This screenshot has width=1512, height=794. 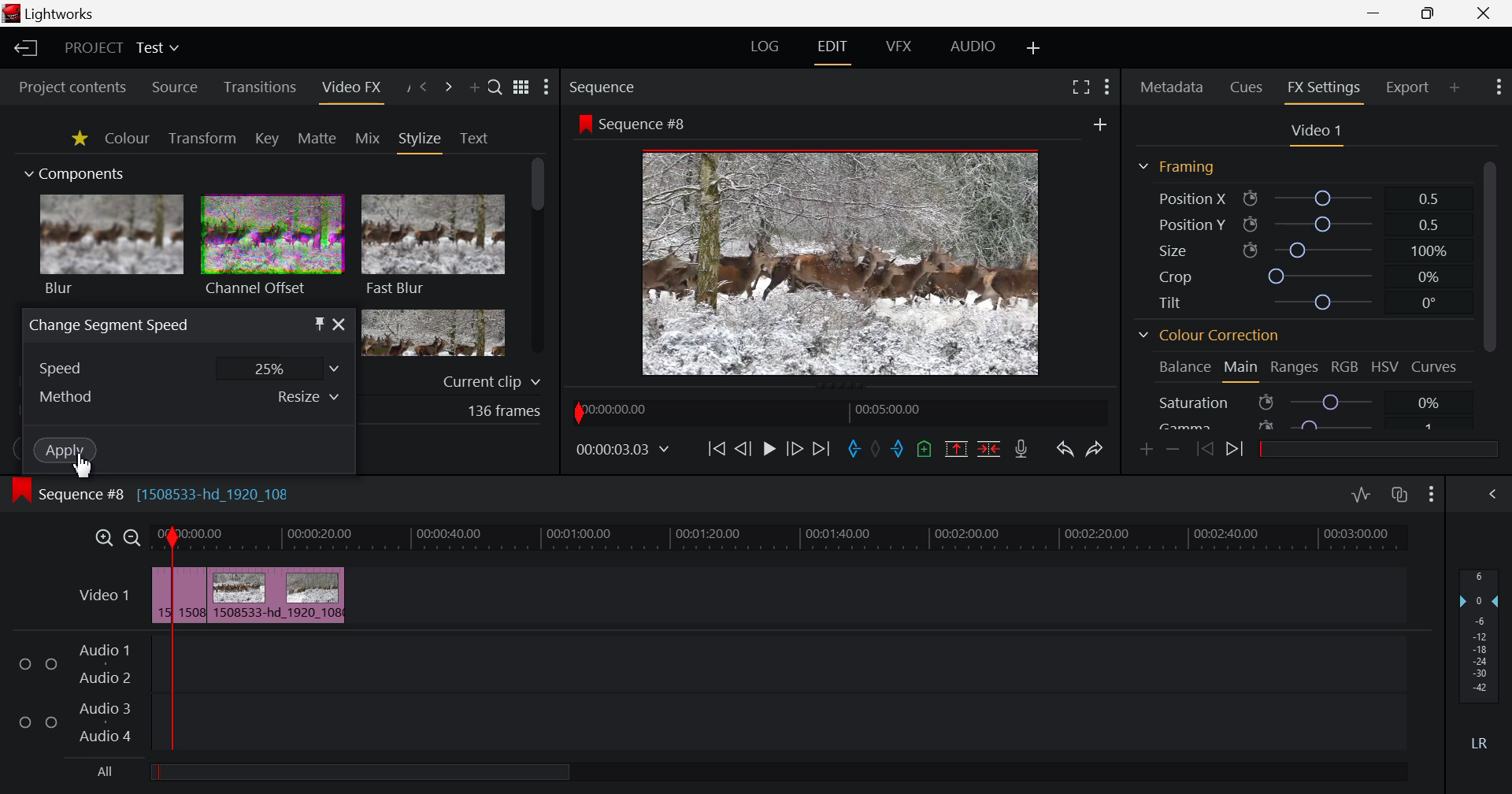 I want to click on Pin Object, so click(x=320, y=324).